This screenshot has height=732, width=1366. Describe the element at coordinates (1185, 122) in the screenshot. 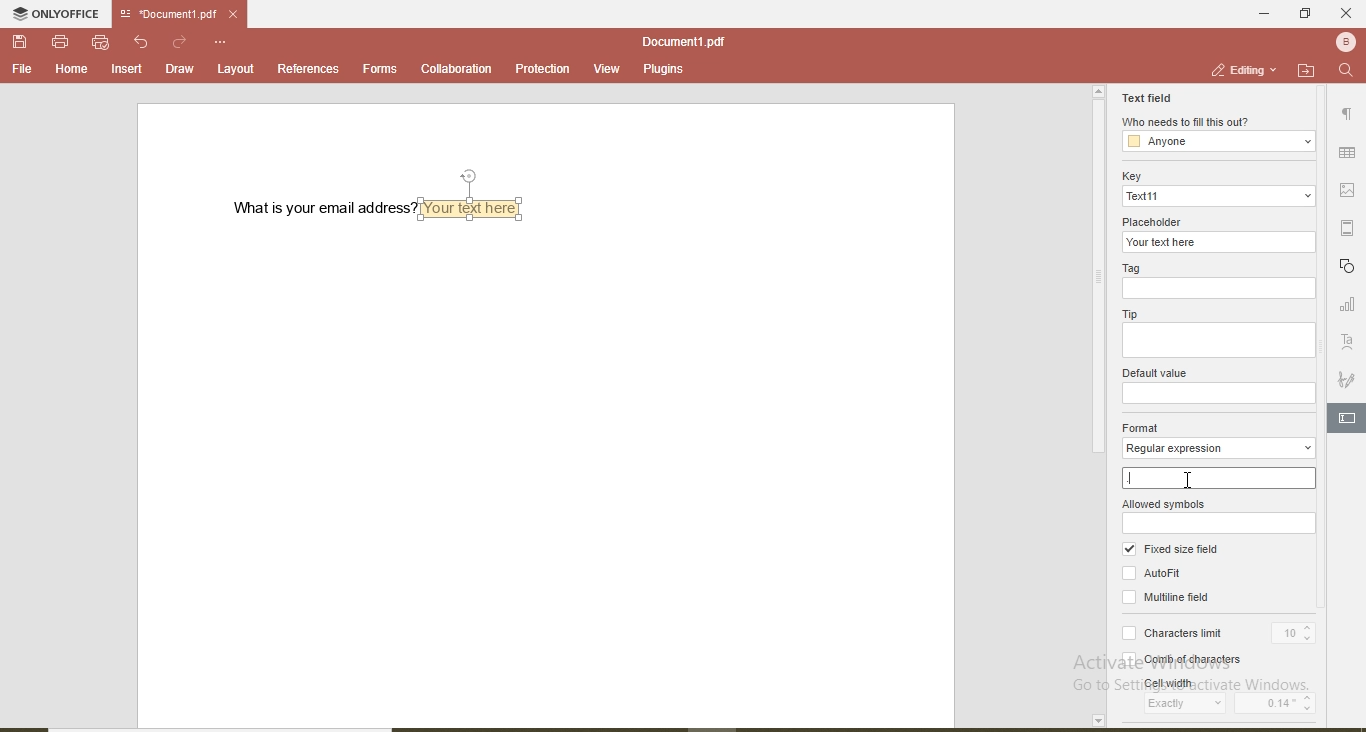

I see `who needs to fill this out?` at that location.